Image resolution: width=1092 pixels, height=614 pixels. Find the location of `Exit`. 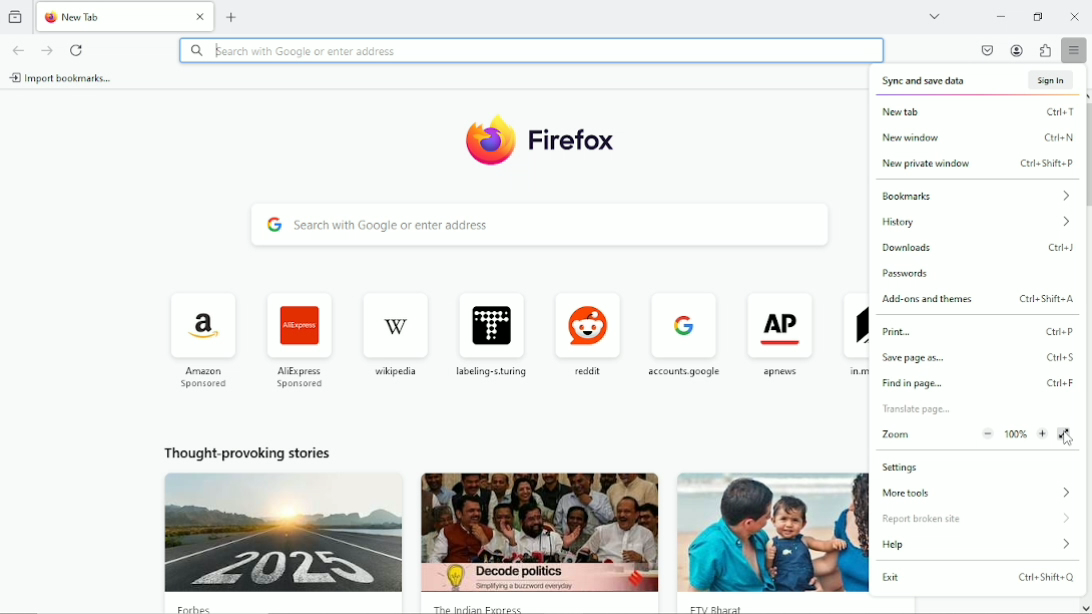

Exit is located at coordinates (979, 579).